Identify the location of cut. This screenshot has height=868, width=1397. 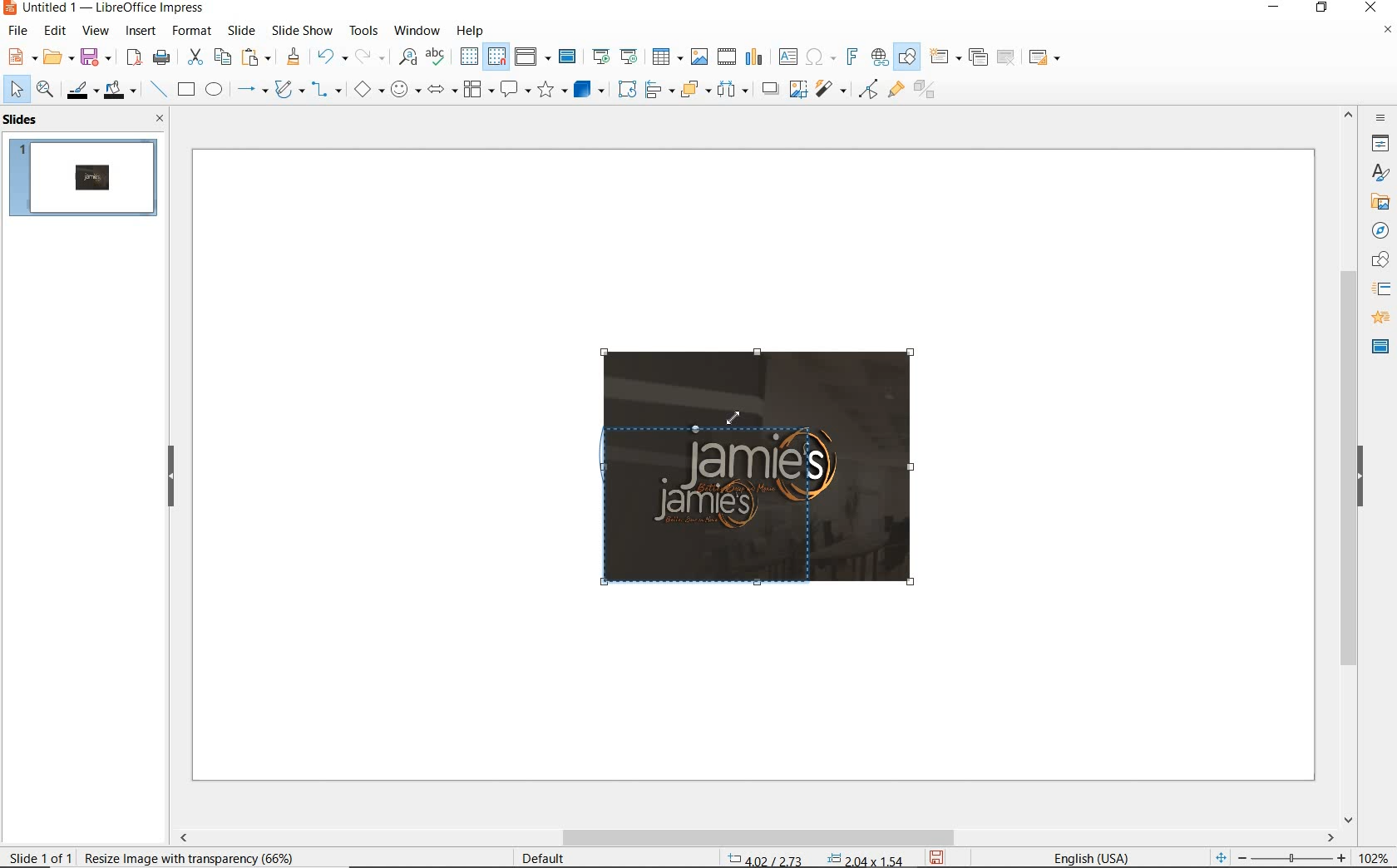
(193, 57).